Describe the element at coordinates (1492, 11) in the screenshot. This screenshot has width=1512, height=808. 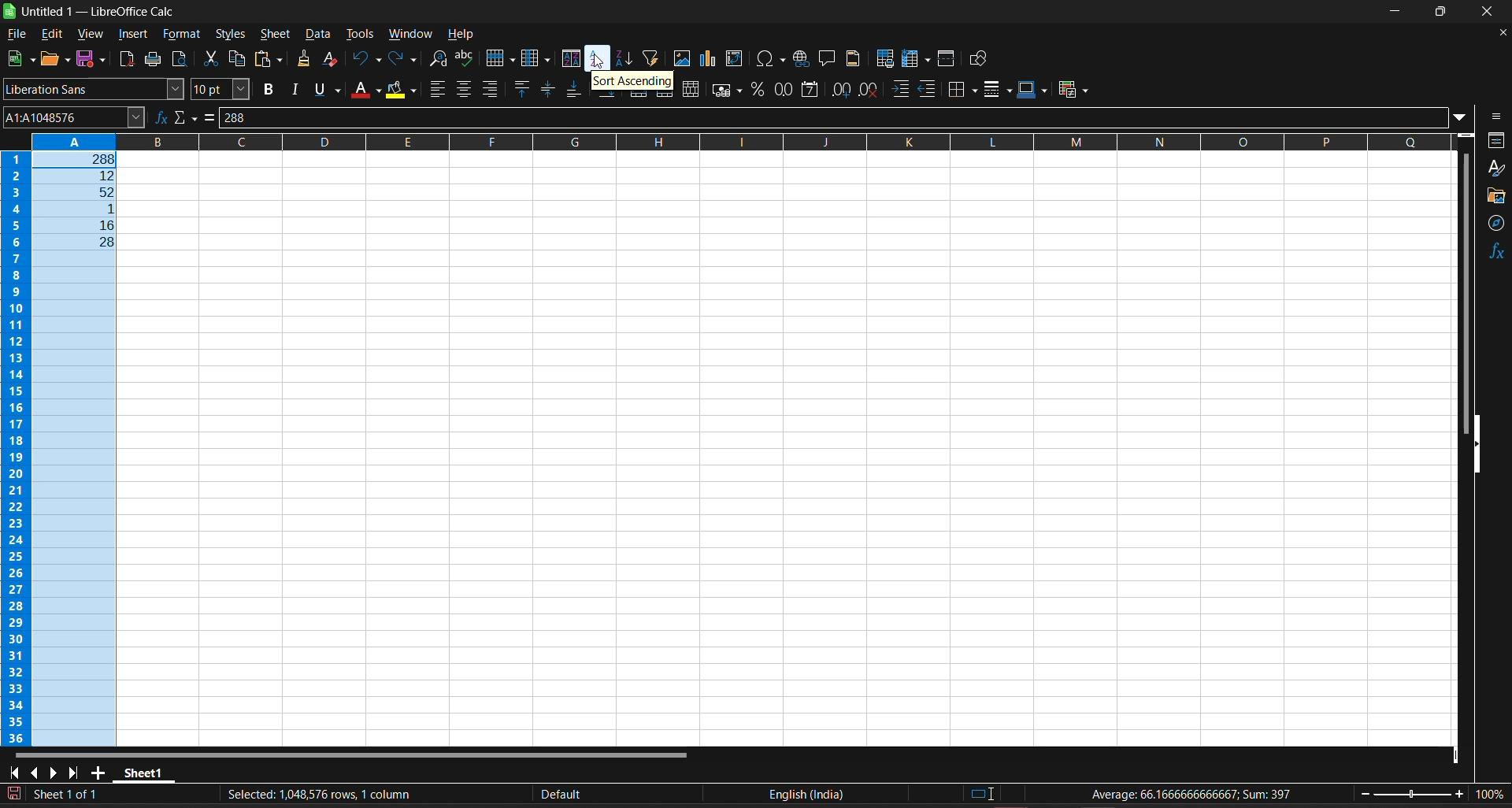
I see `close` at that location.